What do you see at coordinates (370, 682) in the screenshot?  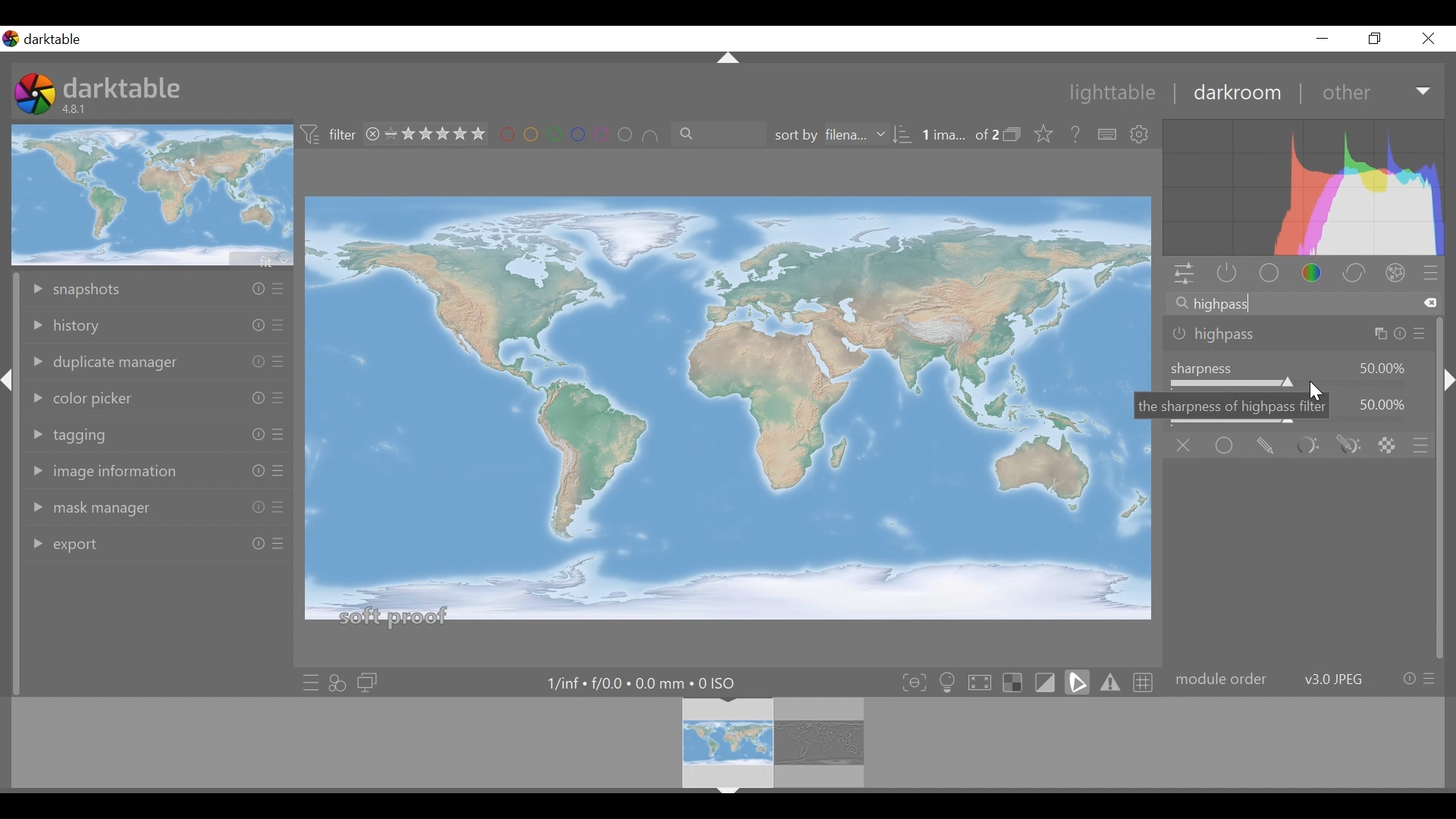 I see `display a second darkroom image window` at bounding box center [370, 682].